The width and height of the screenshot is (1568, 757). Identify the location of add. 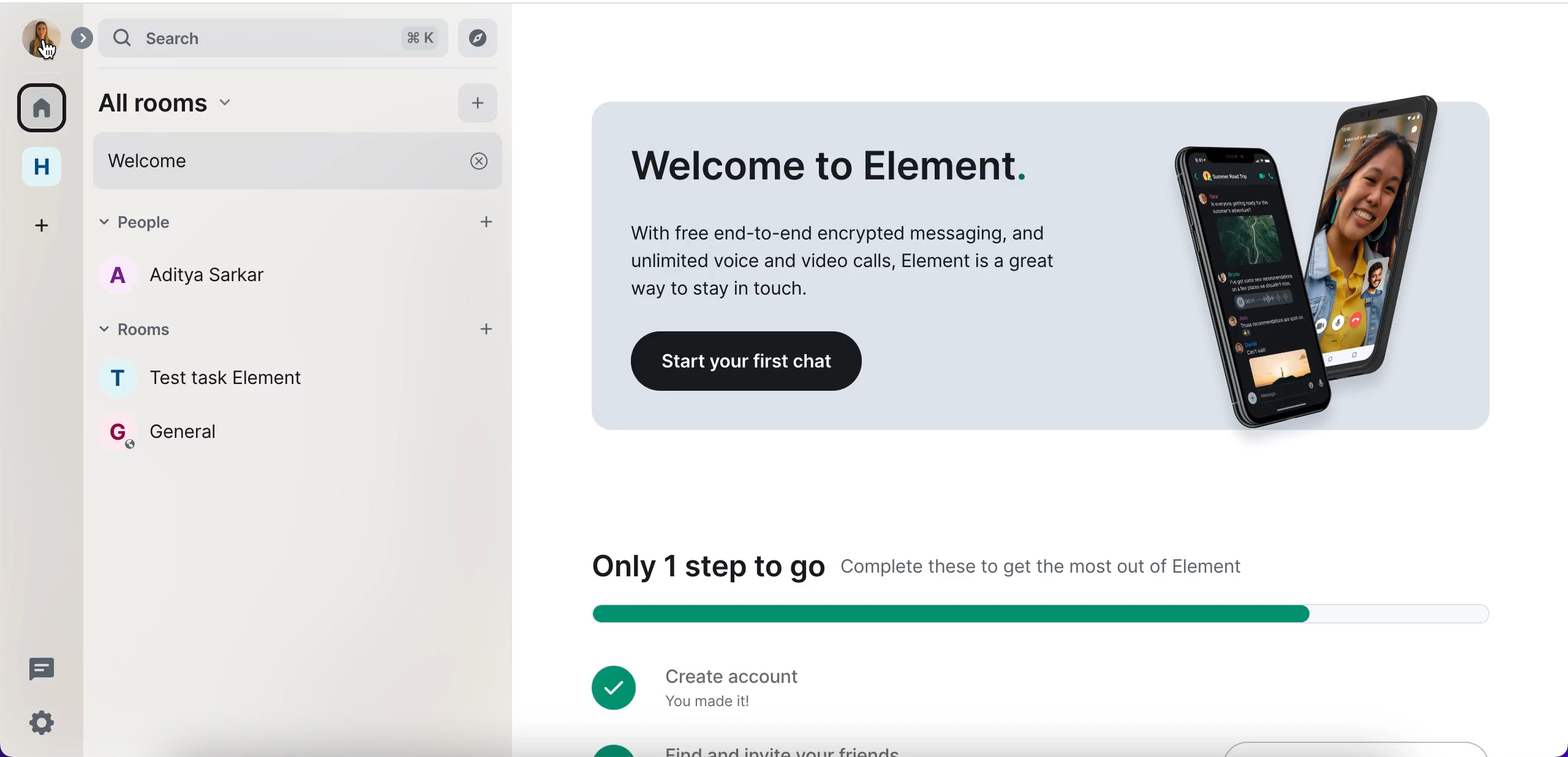
(491, 225).